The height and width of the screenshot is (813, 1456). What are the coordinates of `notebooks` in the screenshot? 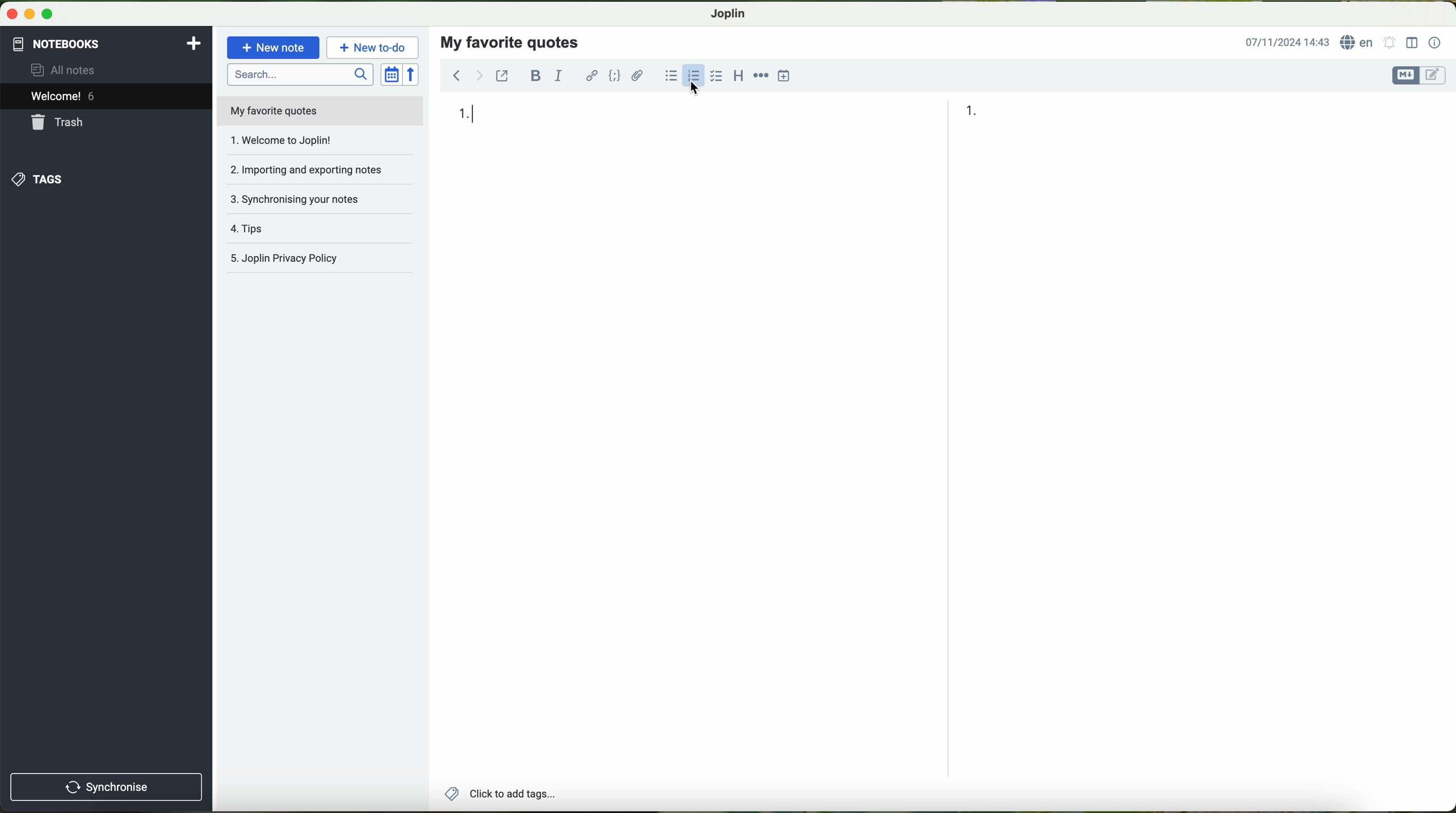 It's located at (107, 42).